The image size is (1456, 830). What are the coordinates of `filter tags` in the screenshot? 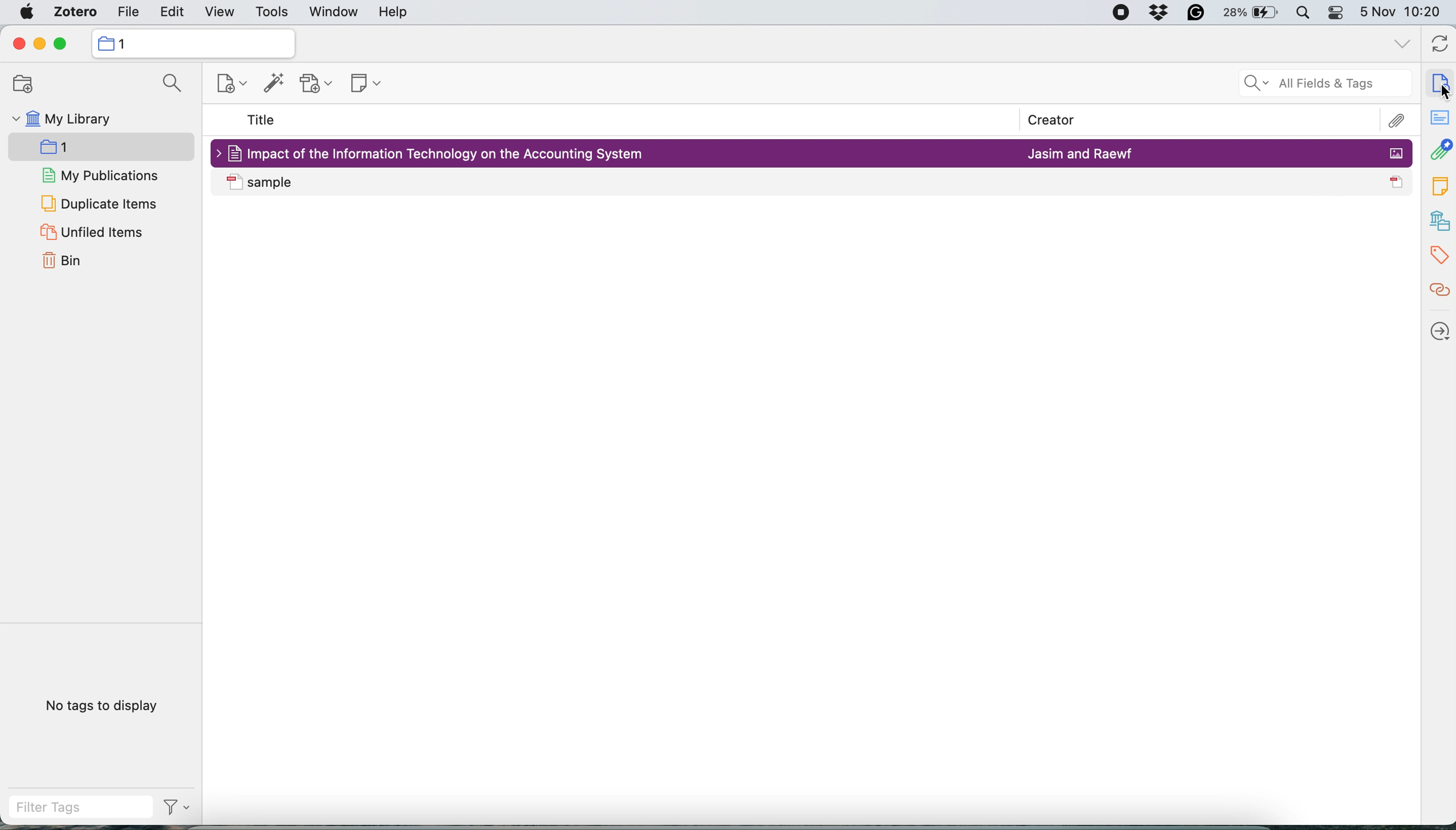 It's located at (83, 808).